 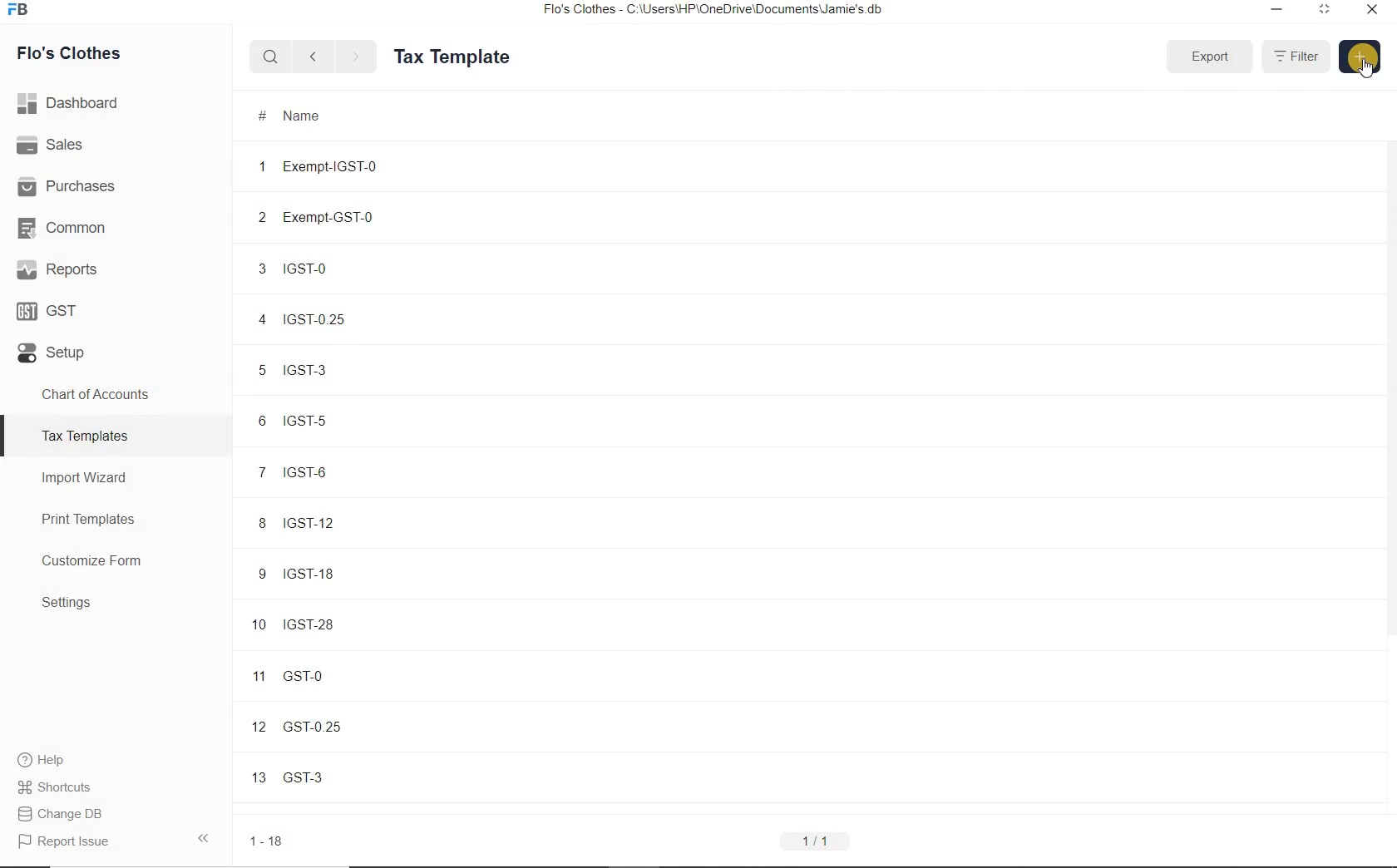 I want to click on Print Templates, so click(x=116, y=519).